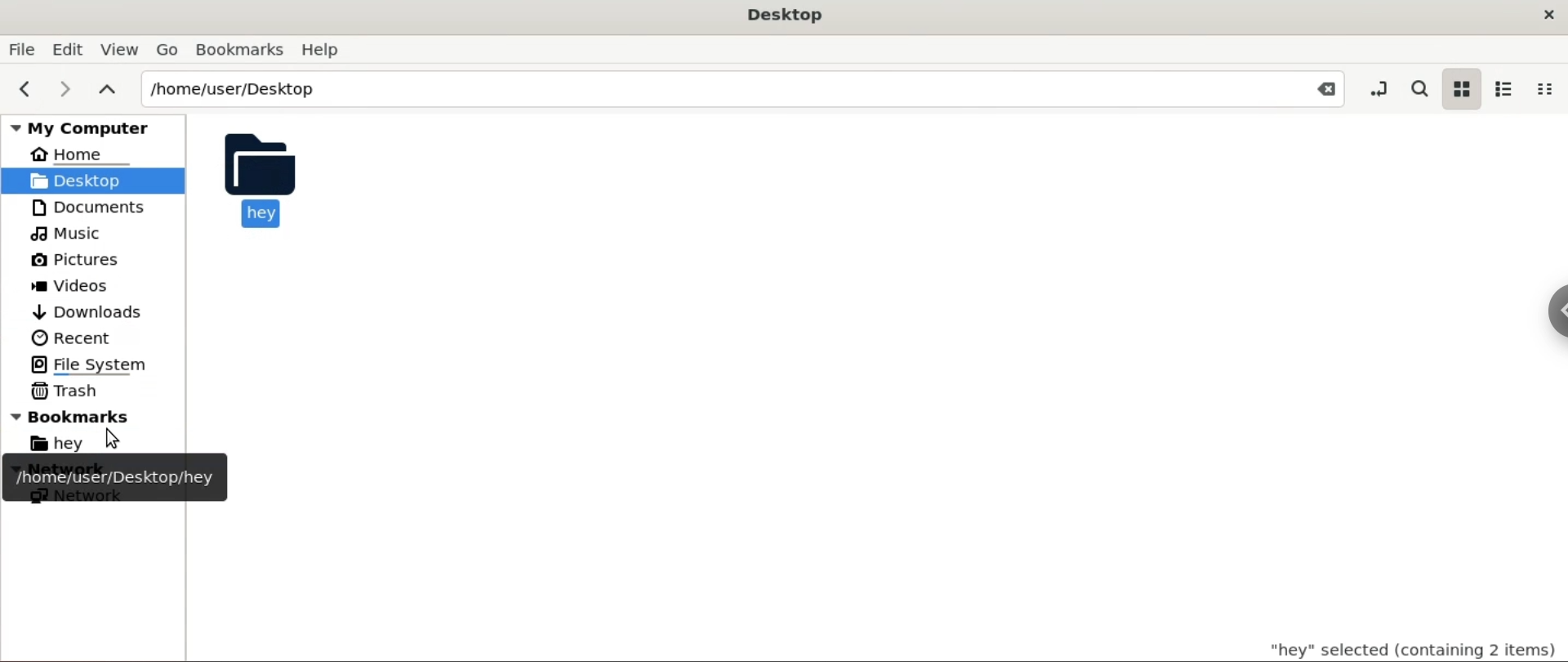  What do you see at coordinates (109, 91) in the screenshot?
I see `parent folders` at bounding box center [109, 91].